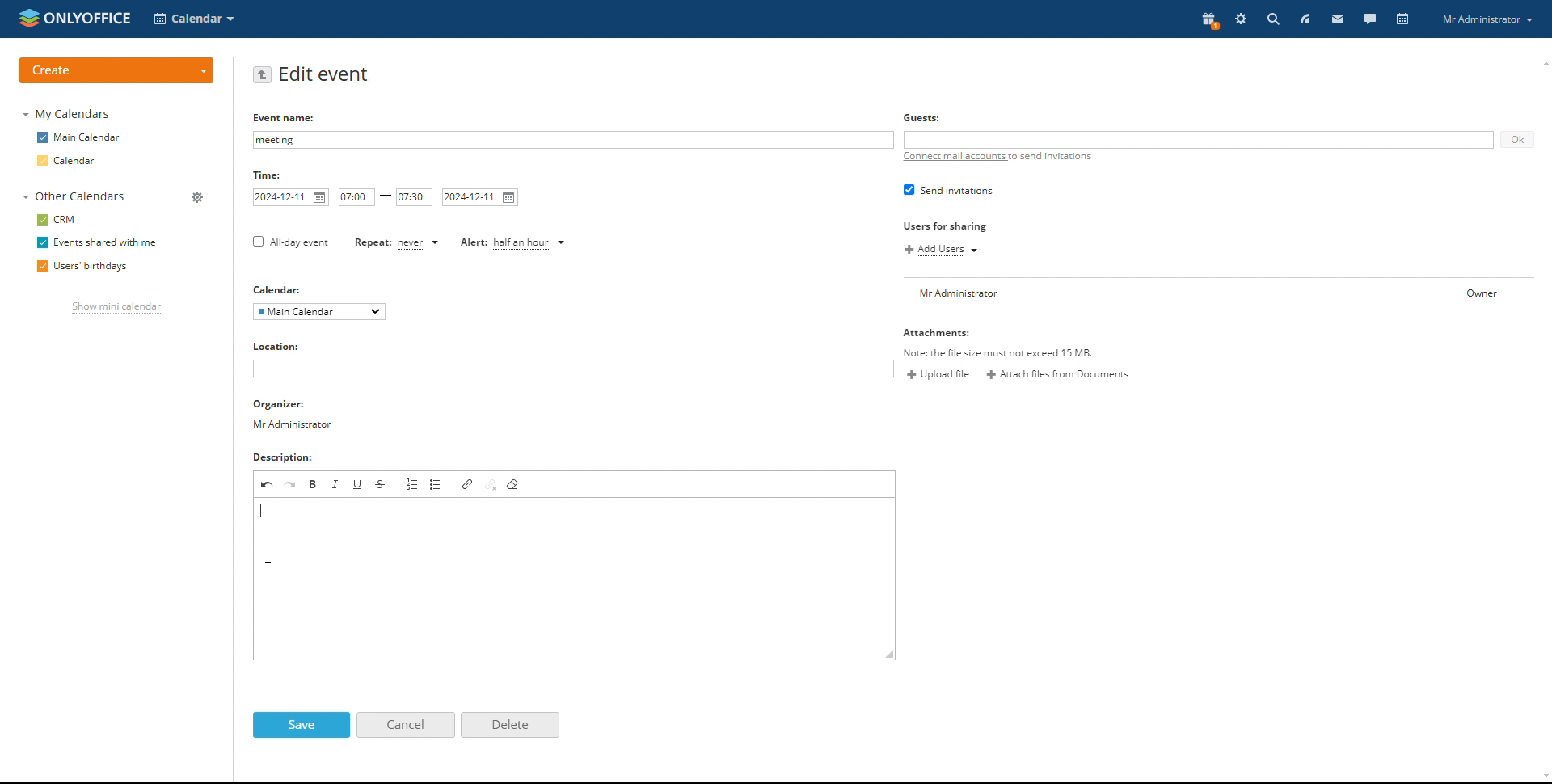 This screenshot has height=784, width=1552. I want to click on Time:, so click(268, 175).